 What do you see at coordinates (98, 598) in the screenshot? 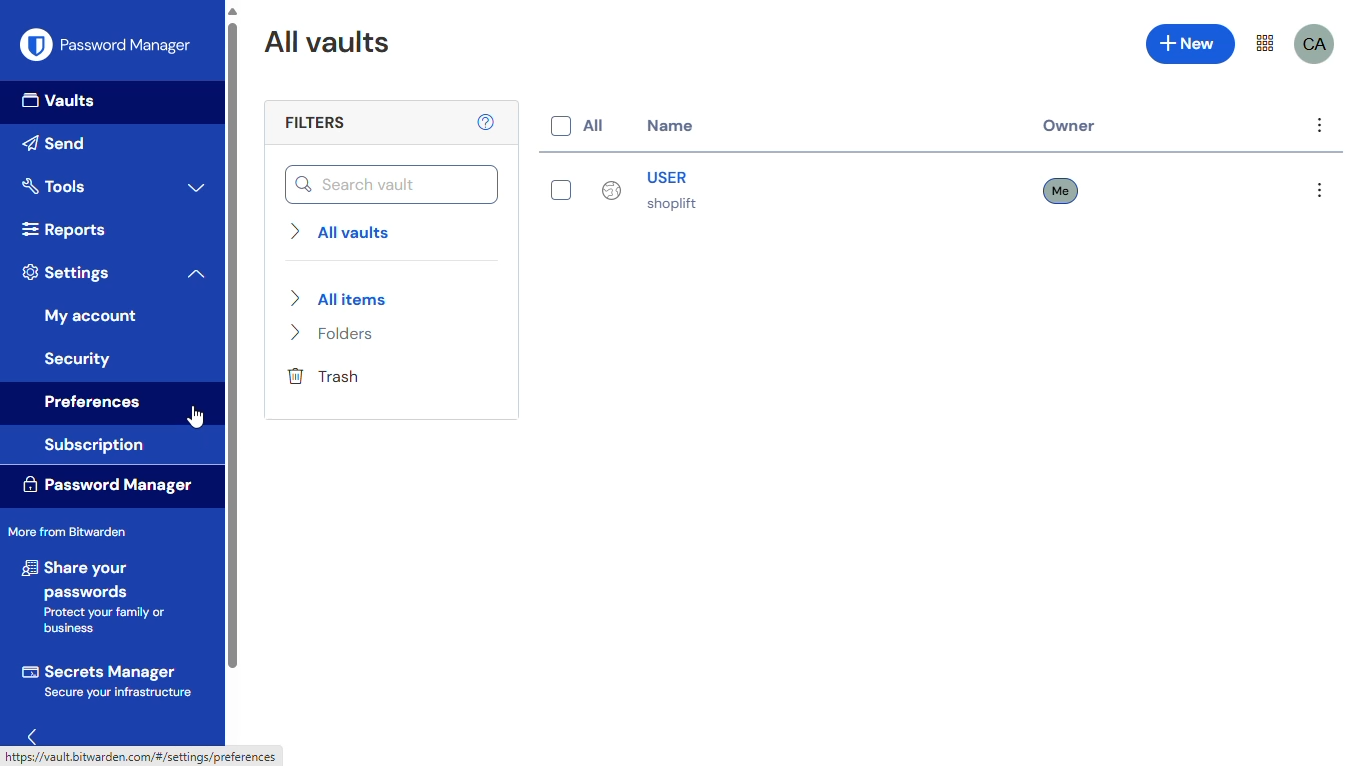
I see `share your passwords Protect your family or business` at bounding box center [98, 598].